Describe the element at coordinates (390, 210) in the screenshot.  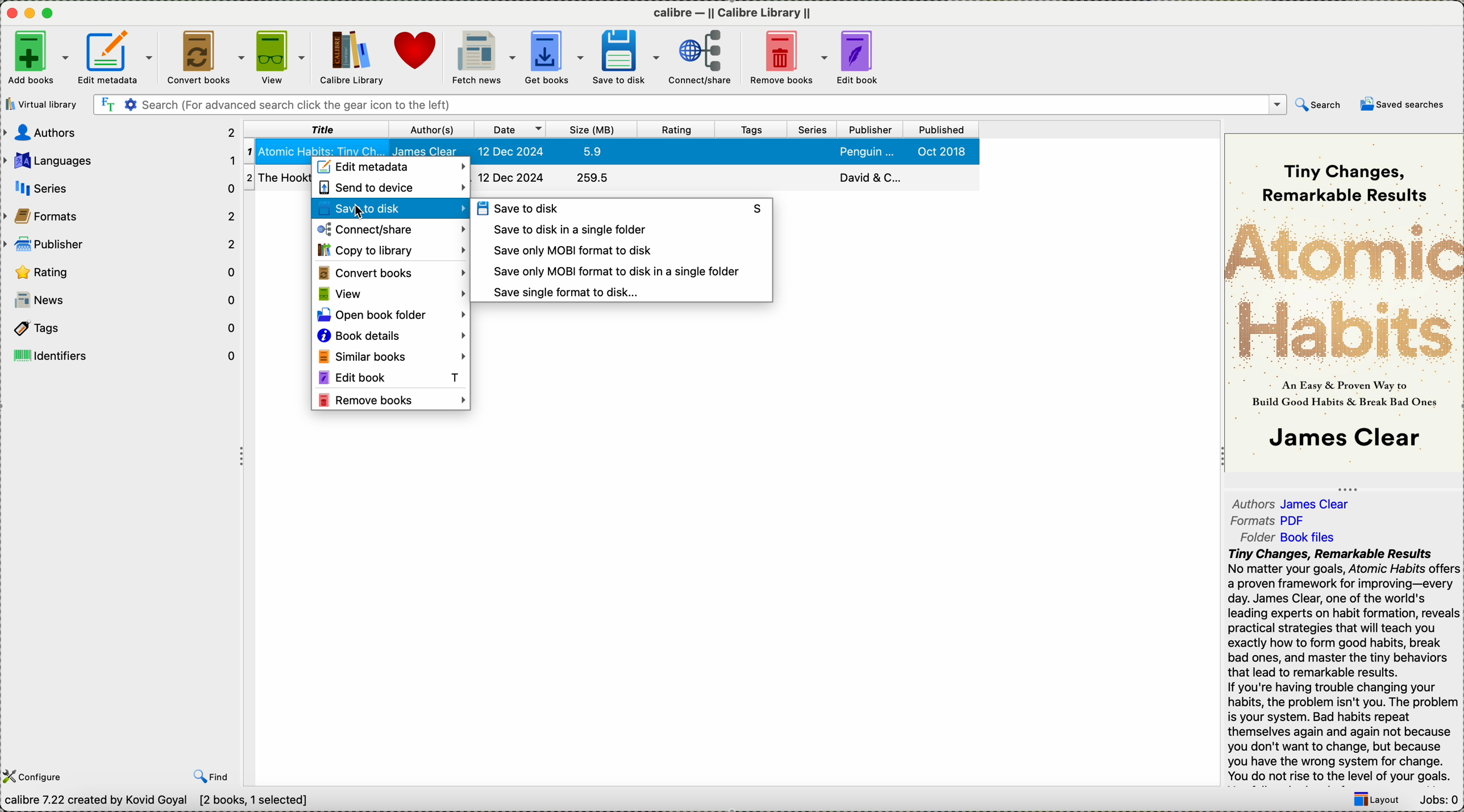
I see `save to disk` at that location.